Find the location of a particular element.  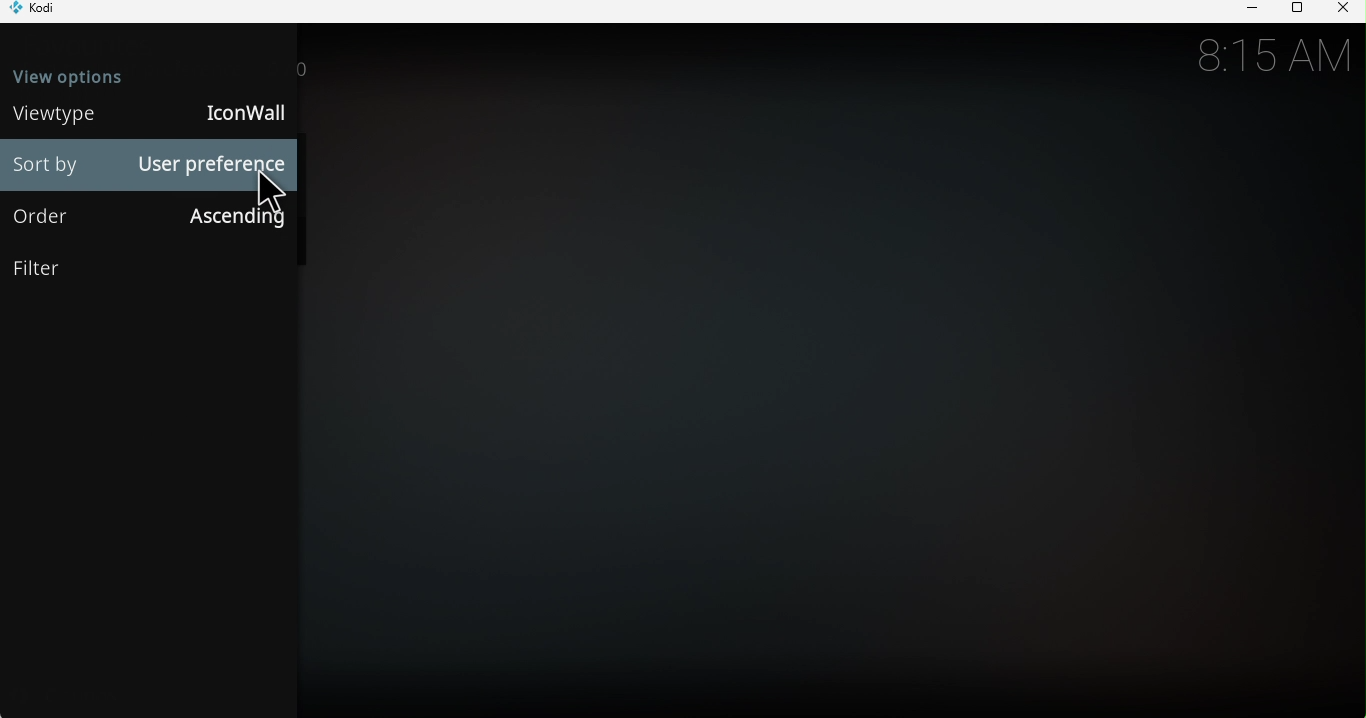

Maximize is located at coordinates (1294, 11).